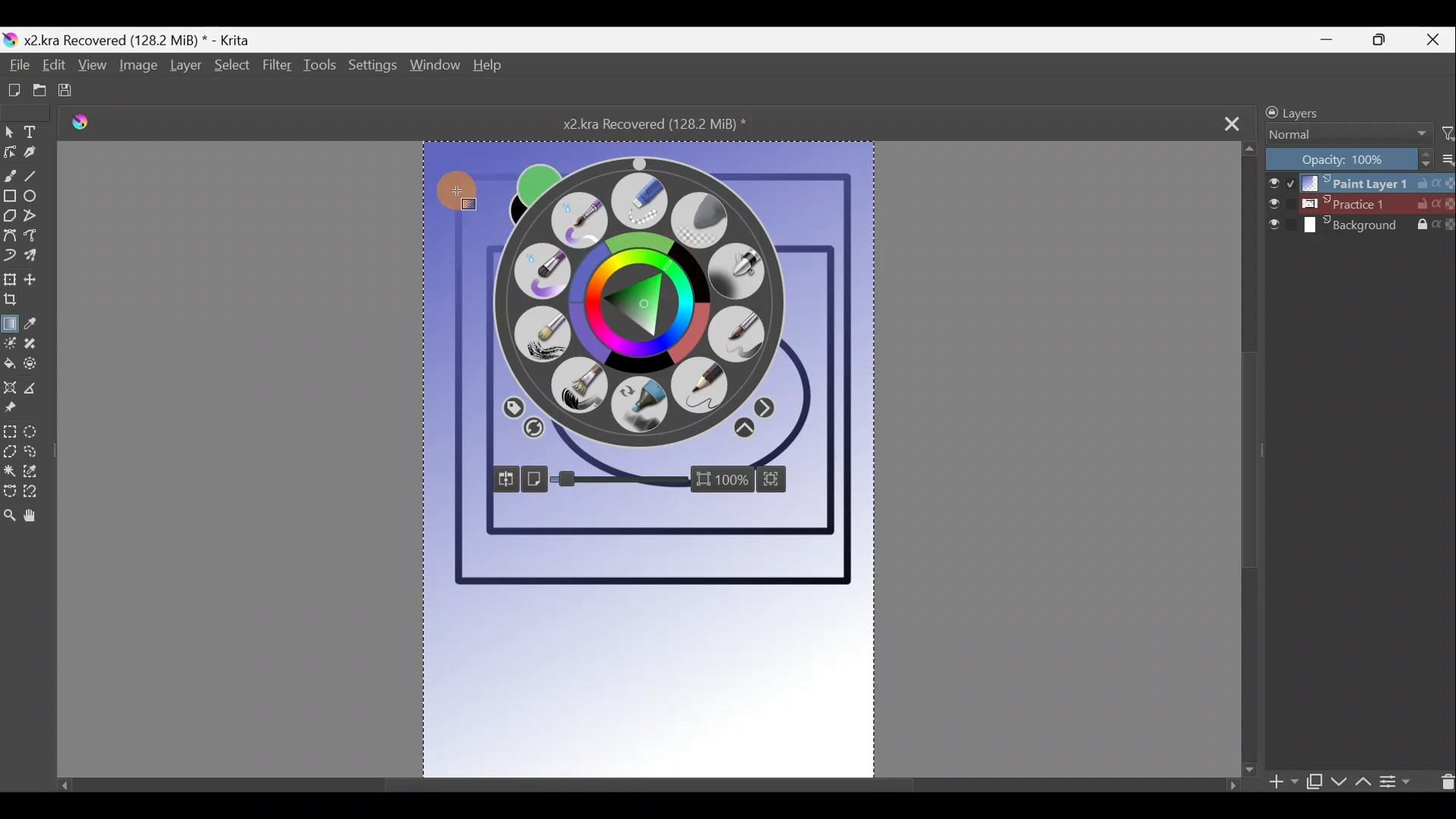 This screenshot has height=819, width=1456. What do you see at coordinates (10, 472) in the screenshot?
I see `Contiguous selection tool` at bounding box center [10, 472].